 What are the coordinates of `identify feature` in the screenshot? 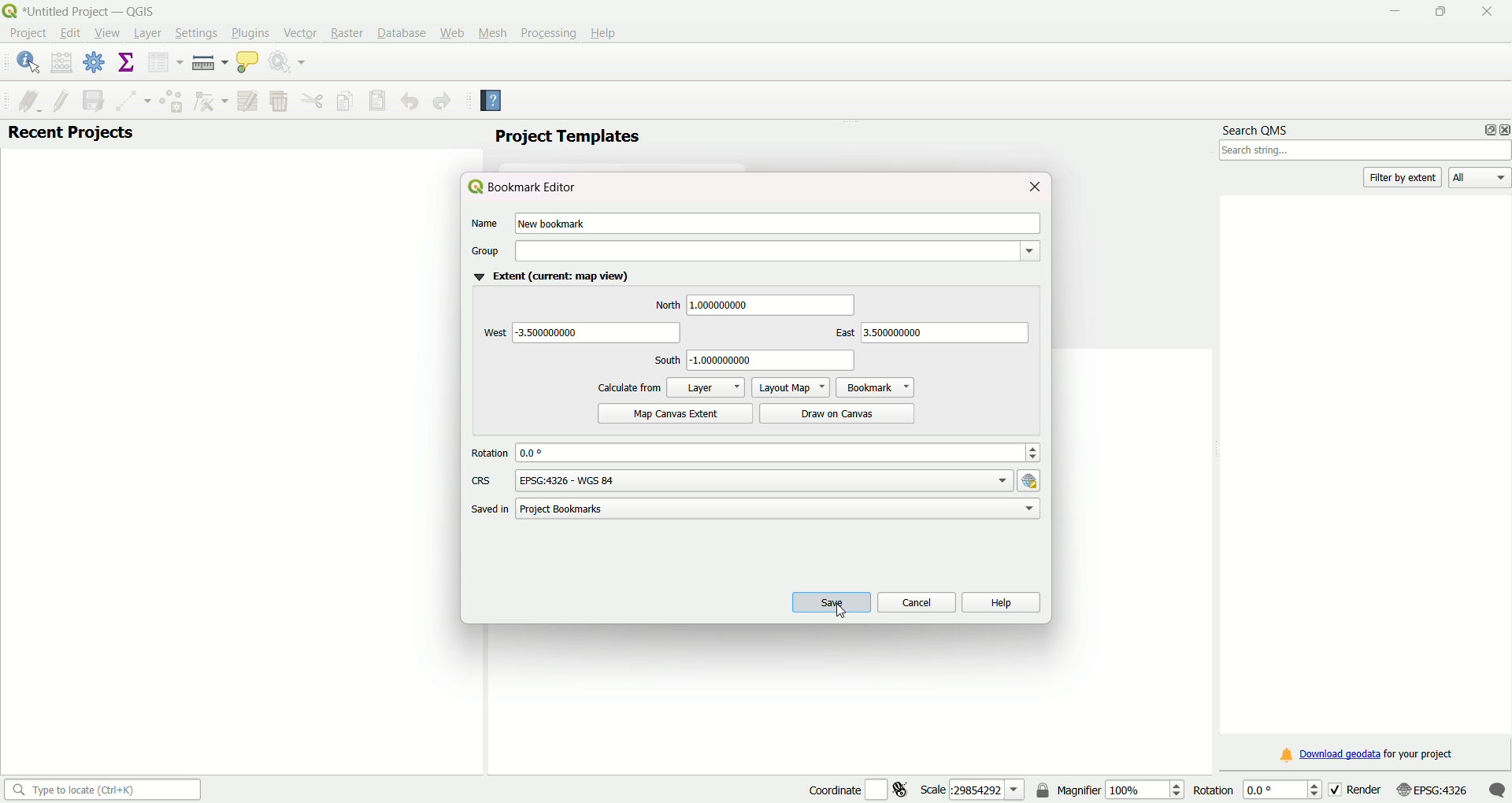 It's located at (28, 62).